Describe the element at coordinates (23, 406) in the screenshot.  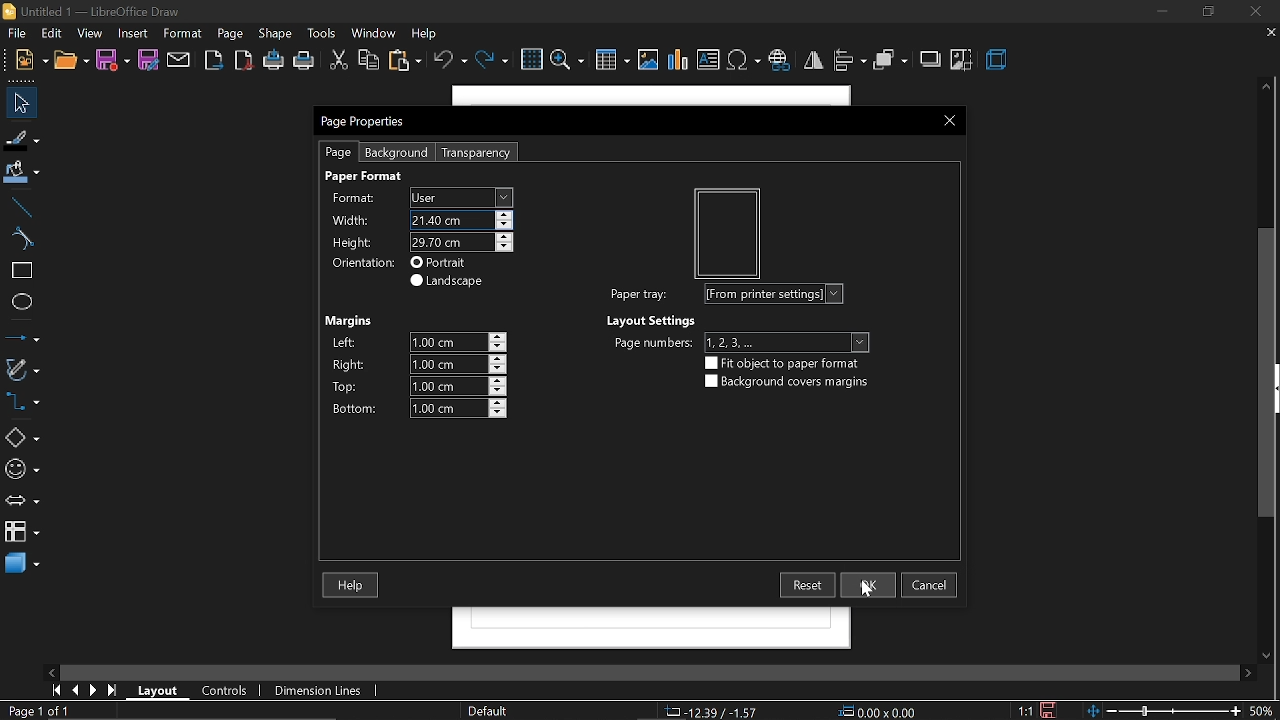
I see `connector` at that location.